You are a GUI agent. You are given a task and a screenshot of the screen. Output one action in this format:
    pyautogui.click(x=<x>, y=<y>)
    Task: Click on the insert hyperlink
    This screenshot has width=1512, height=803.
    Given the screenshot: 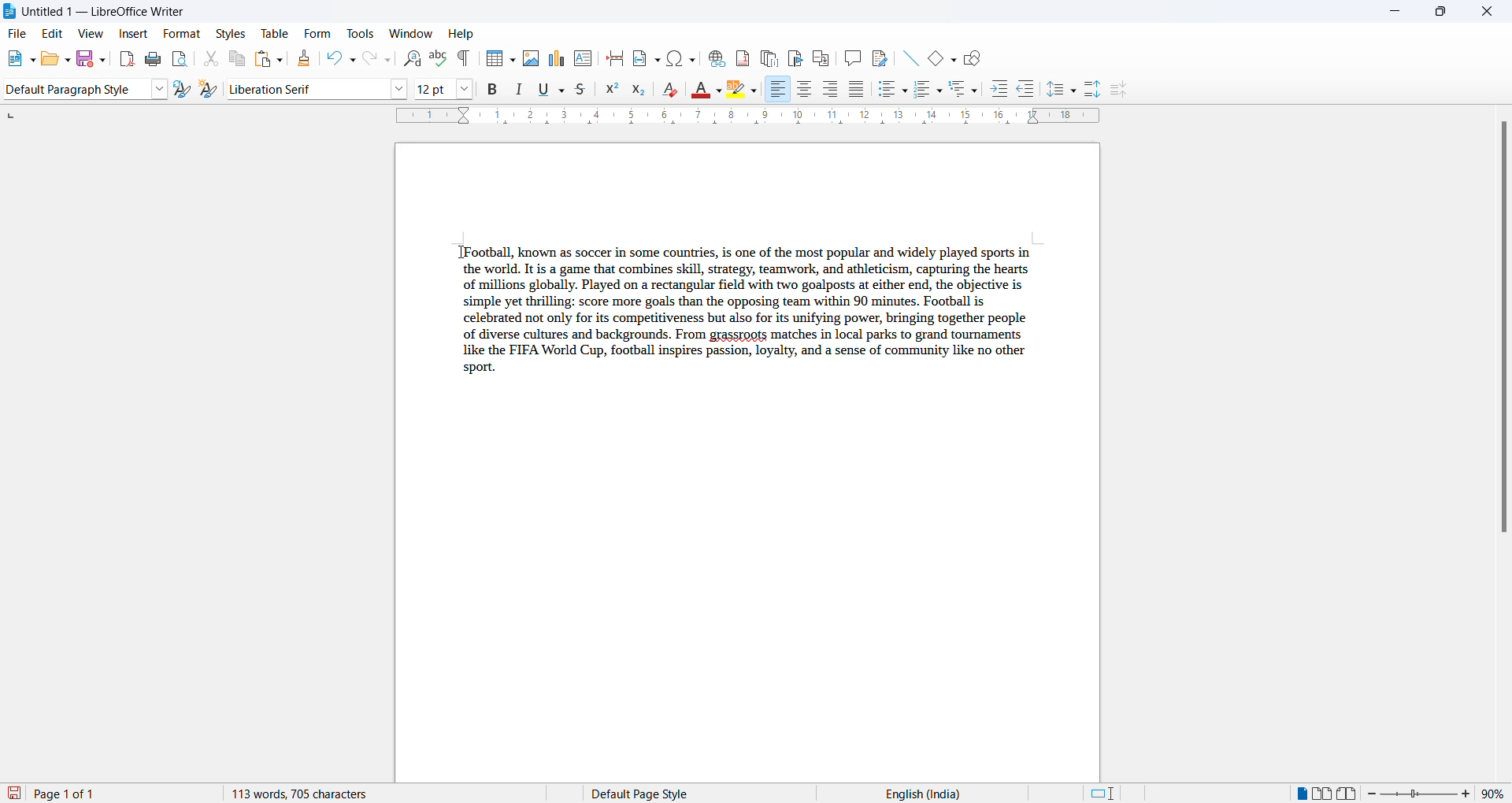 What is the action you would take?
    pyautogui.click(x=716, y=60)
    